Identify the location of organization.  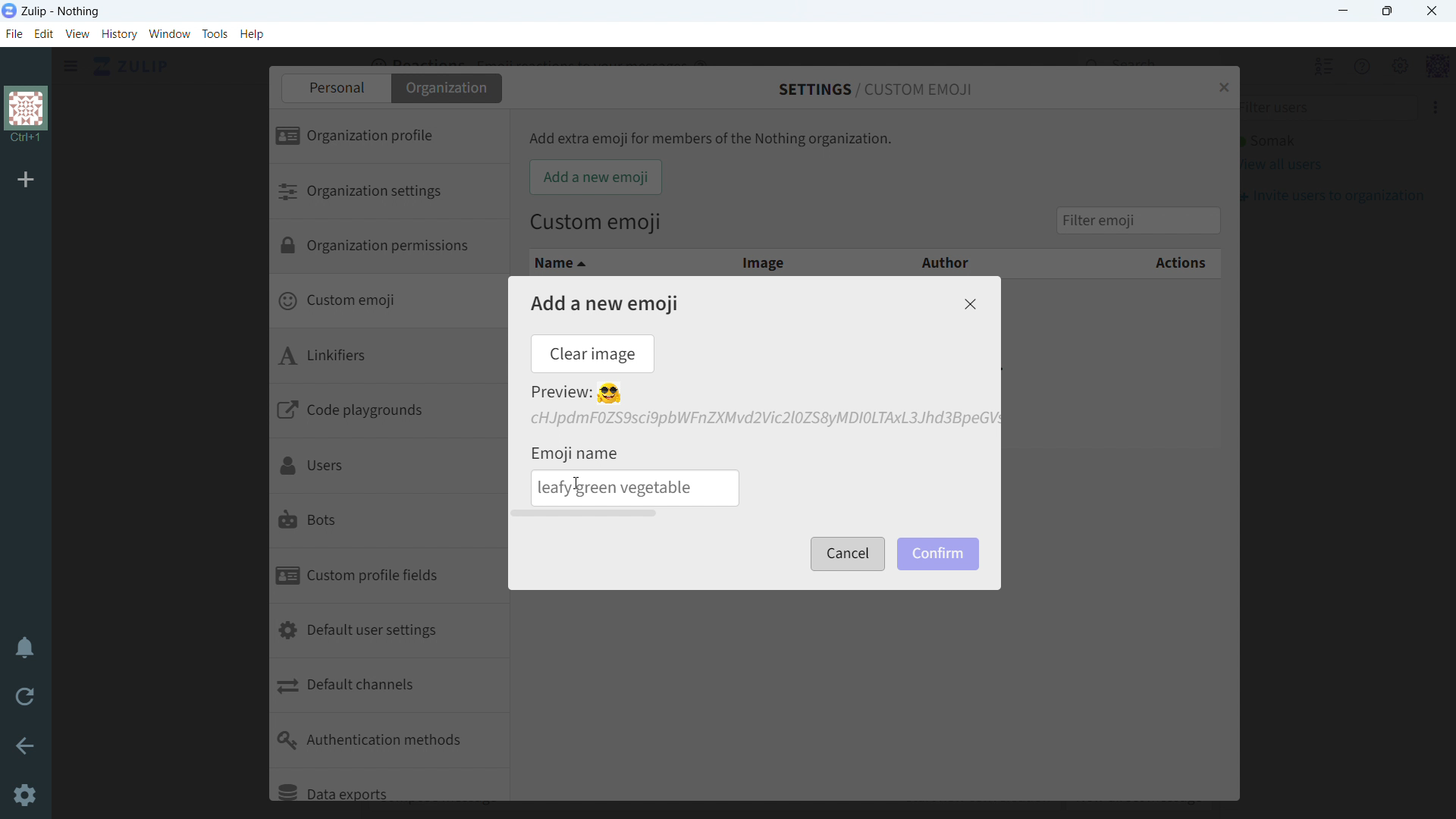
(448, 88).